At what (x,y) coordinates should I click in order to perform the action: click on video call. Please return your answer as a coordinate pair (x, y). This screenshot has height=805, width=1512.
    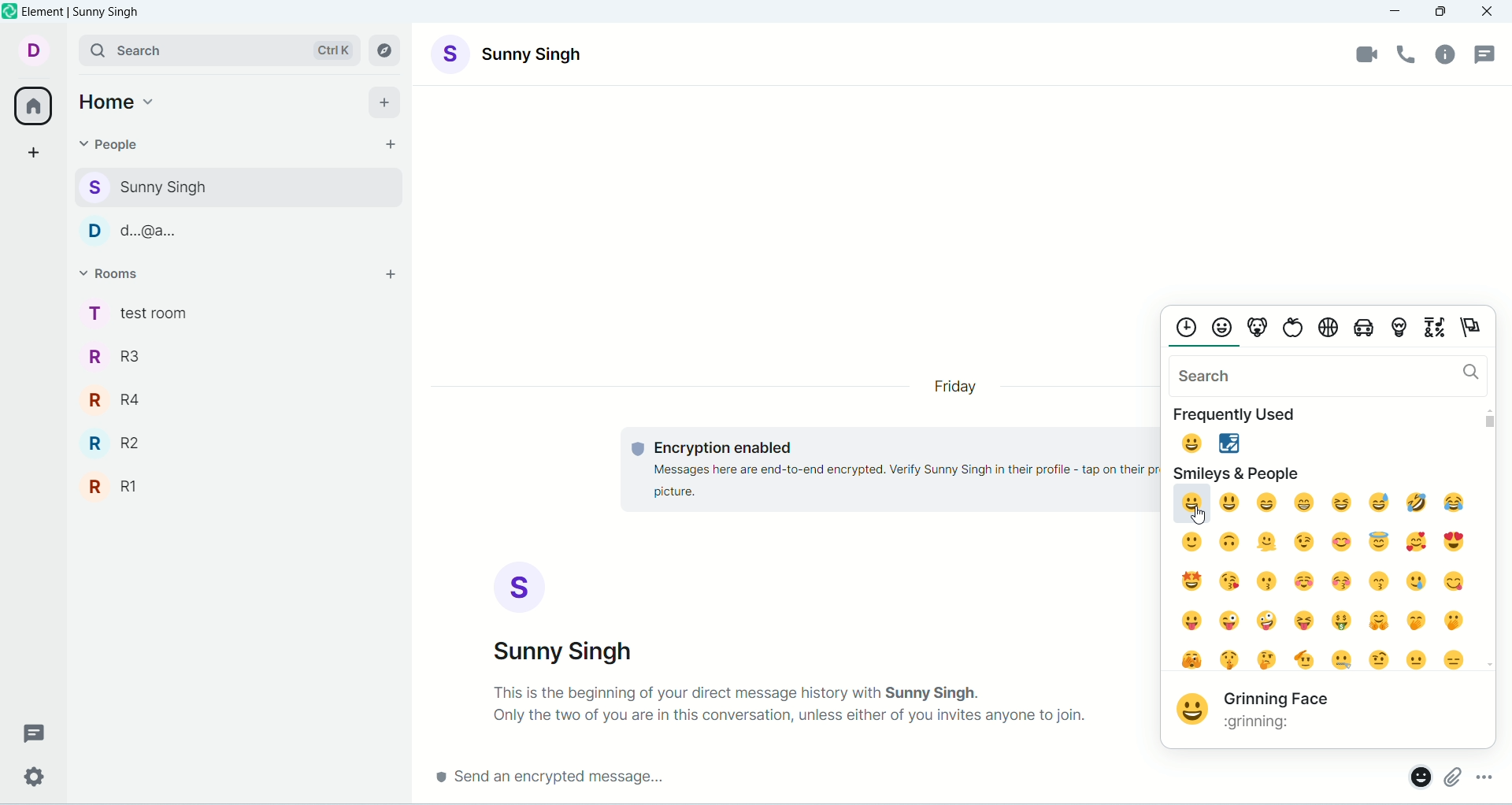
    Looking at the image, I should click on (1365, 54).